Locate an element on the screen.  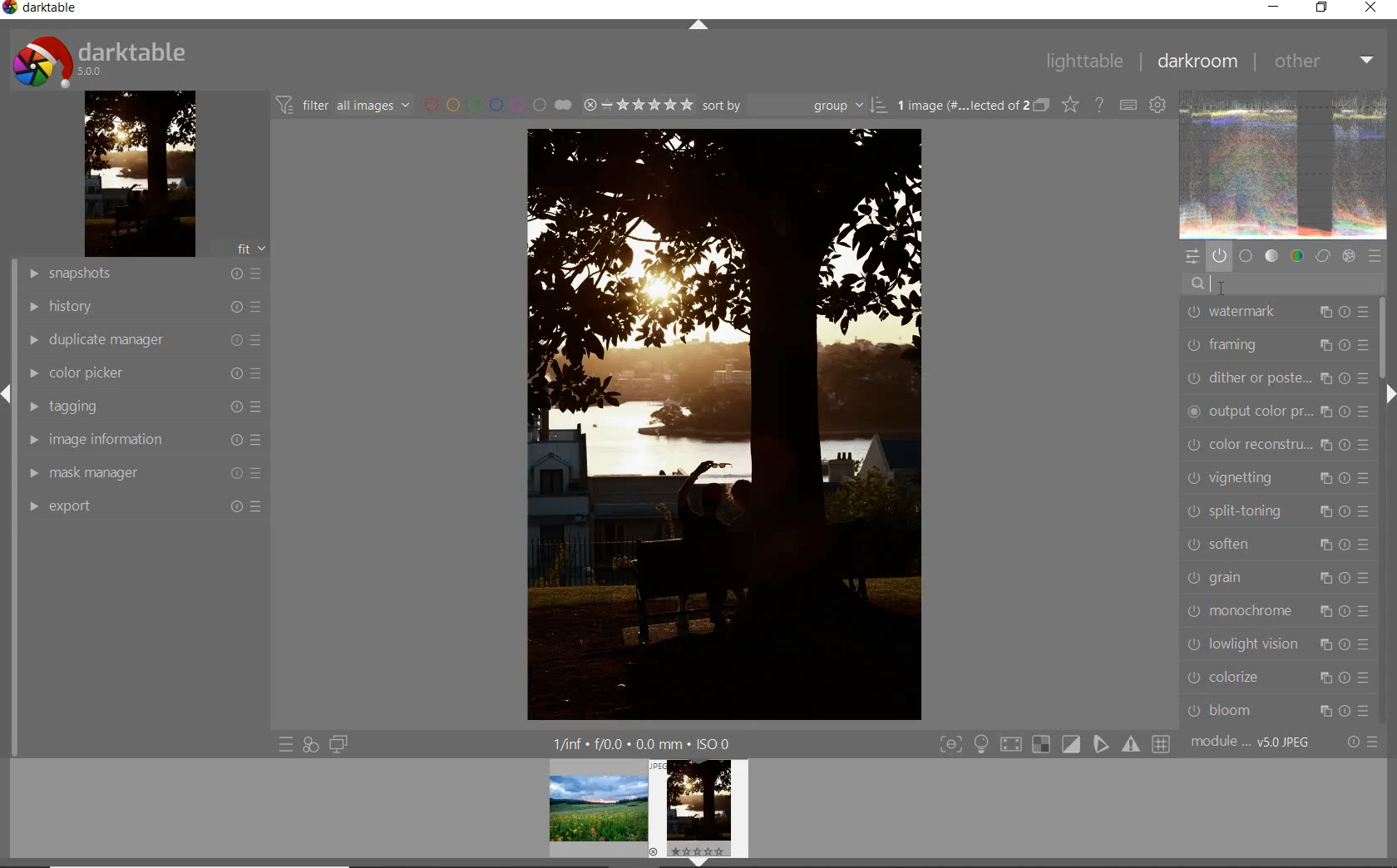
vignetting is located at coordinates (1276, 476).